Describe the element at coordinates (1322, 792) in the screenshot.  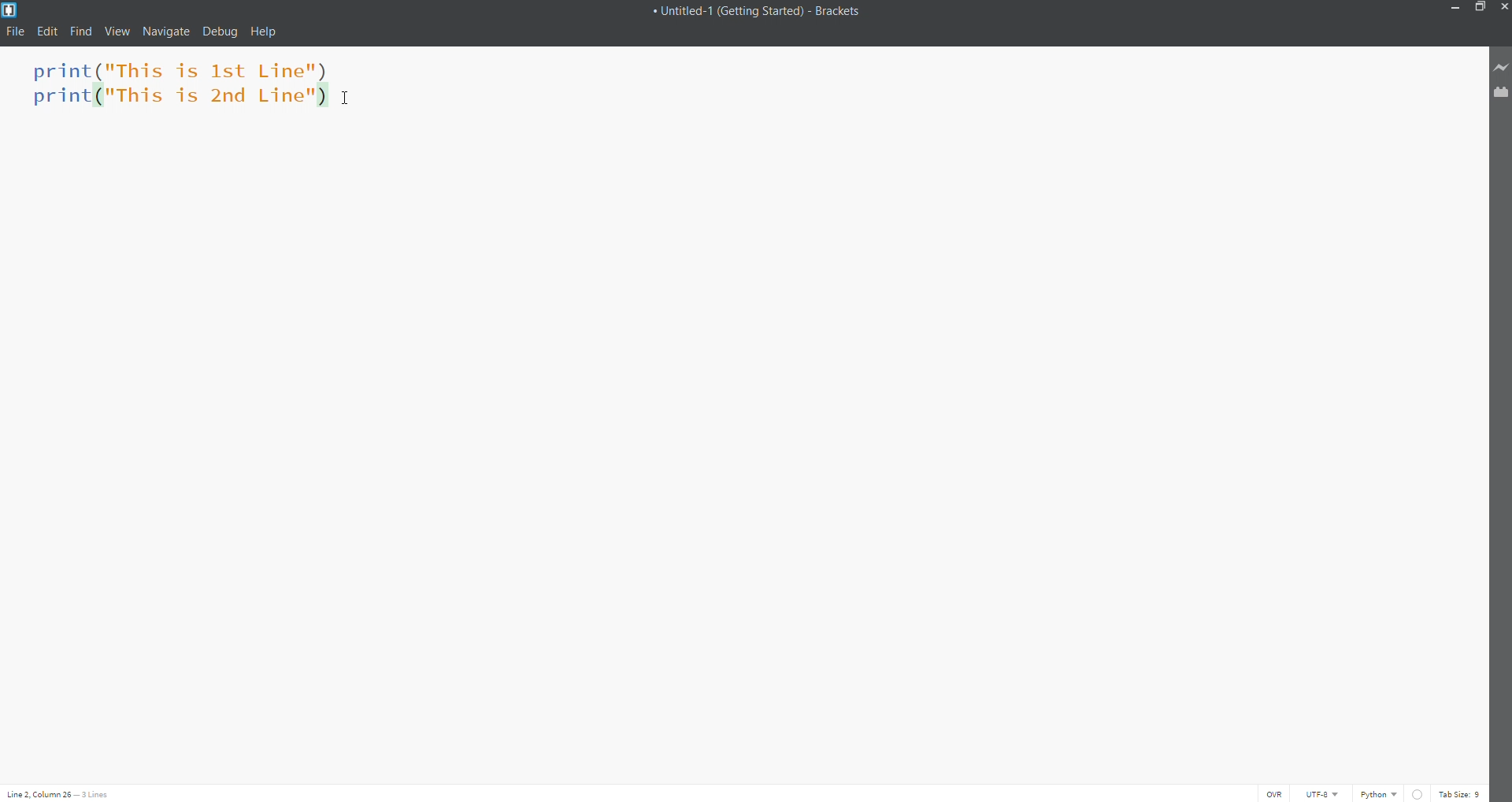
I see `Select the Encoding` at that location.